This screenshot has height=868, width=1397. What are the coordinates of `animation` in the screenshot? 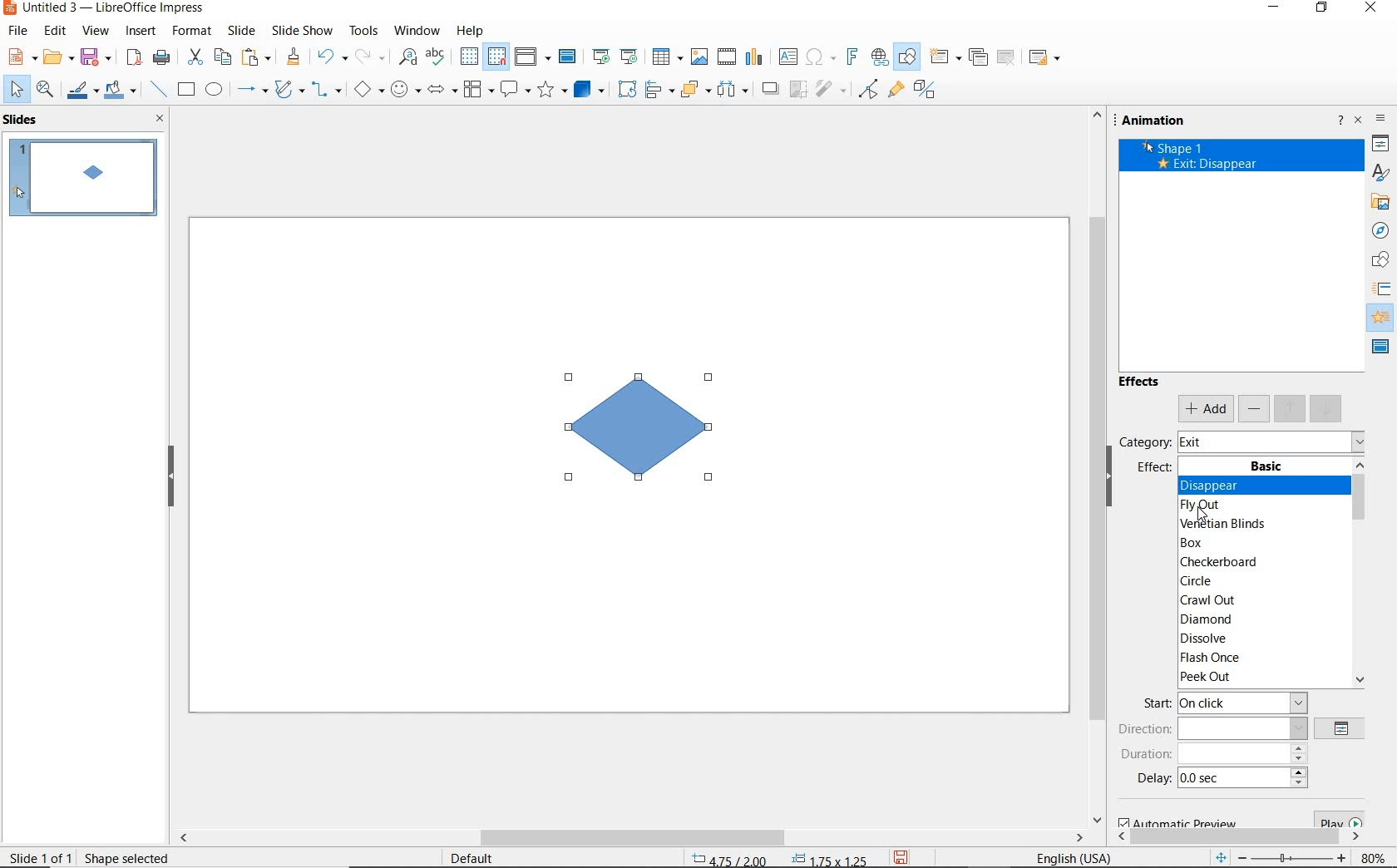 It's located at (1381, 318).